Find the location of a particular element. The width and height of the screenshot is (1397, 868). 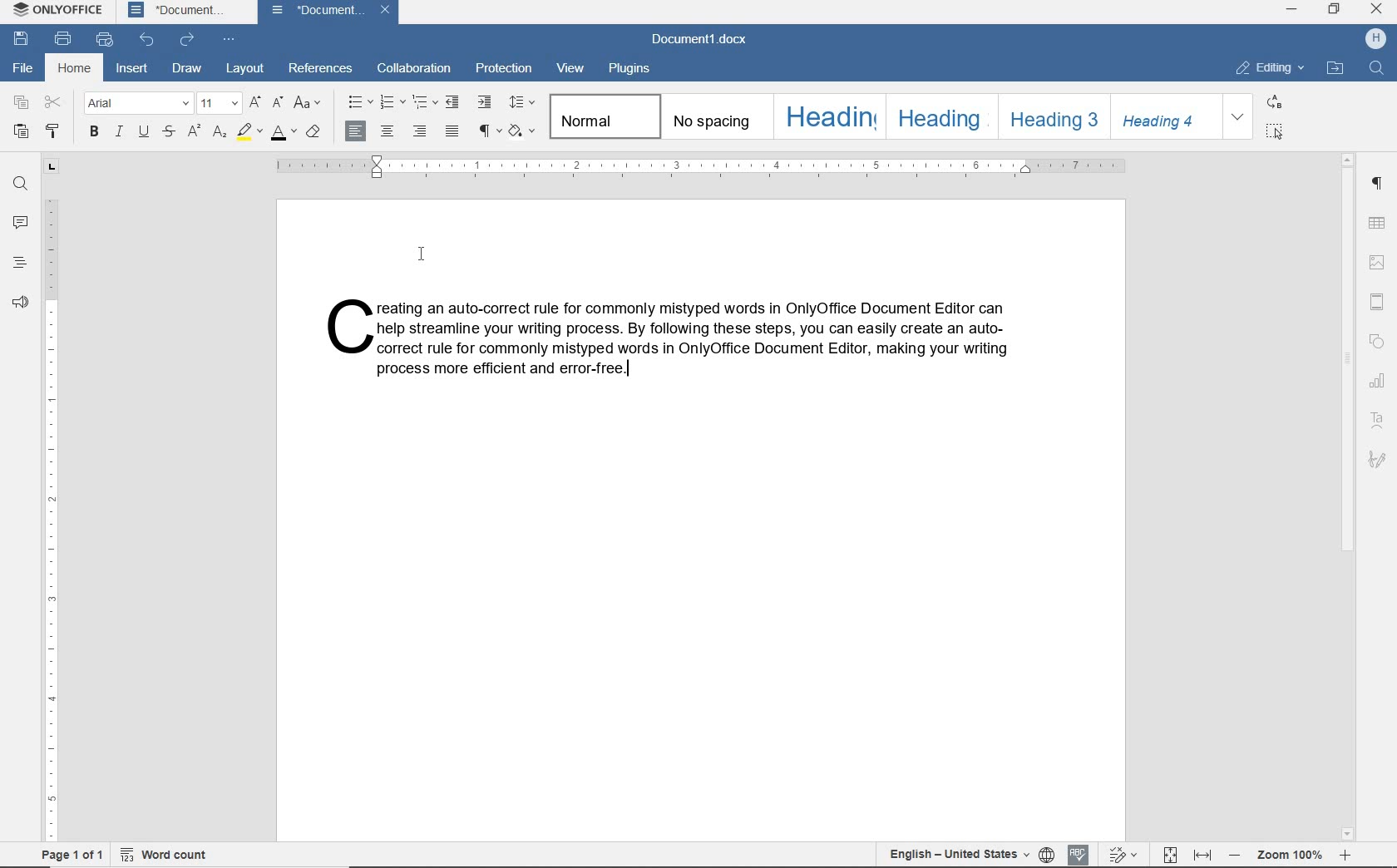

ALIGN CENTER is located at coordinates (390, 131).